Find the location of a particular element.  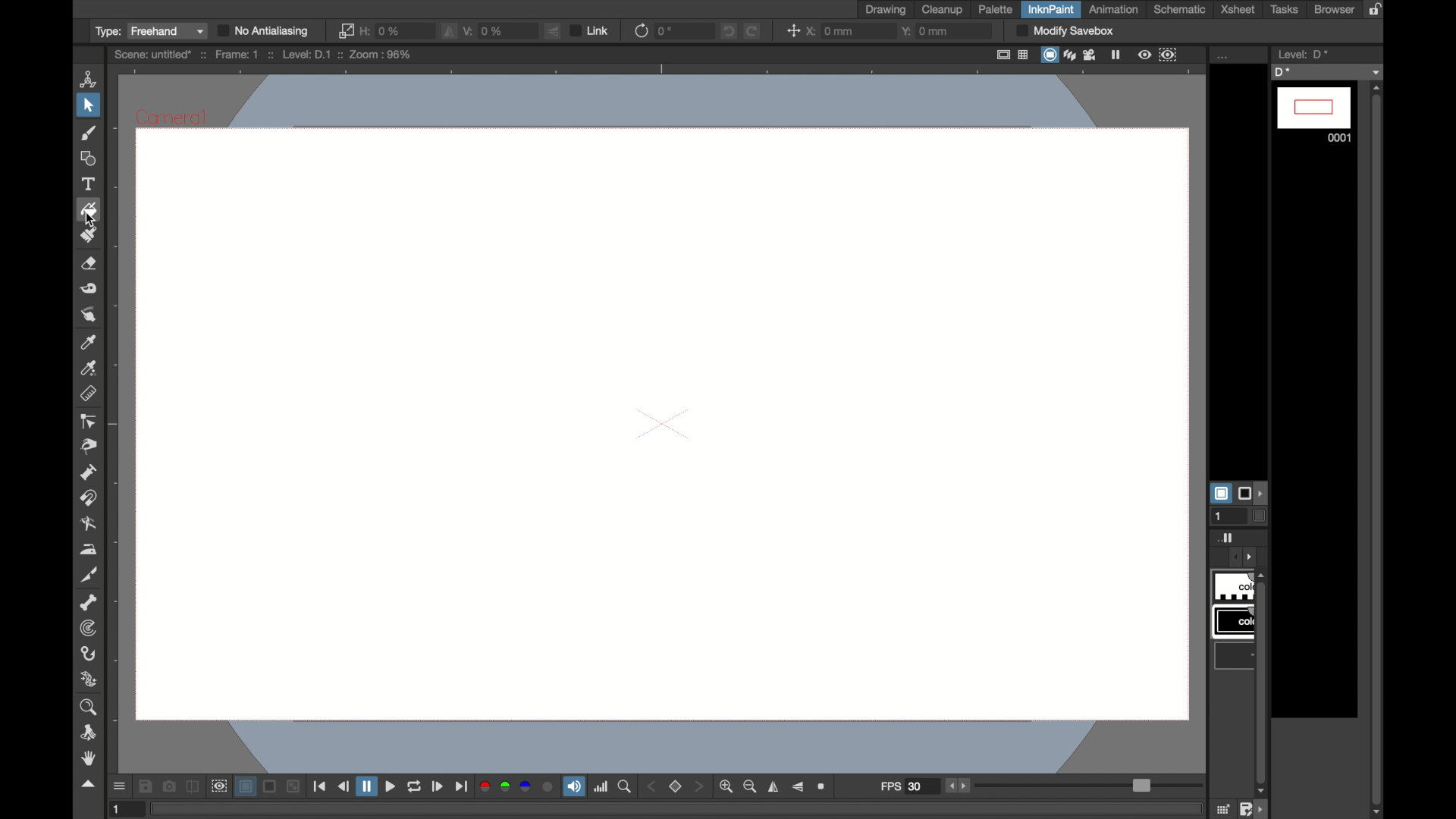

zoom is located at coordinates (625, 787).